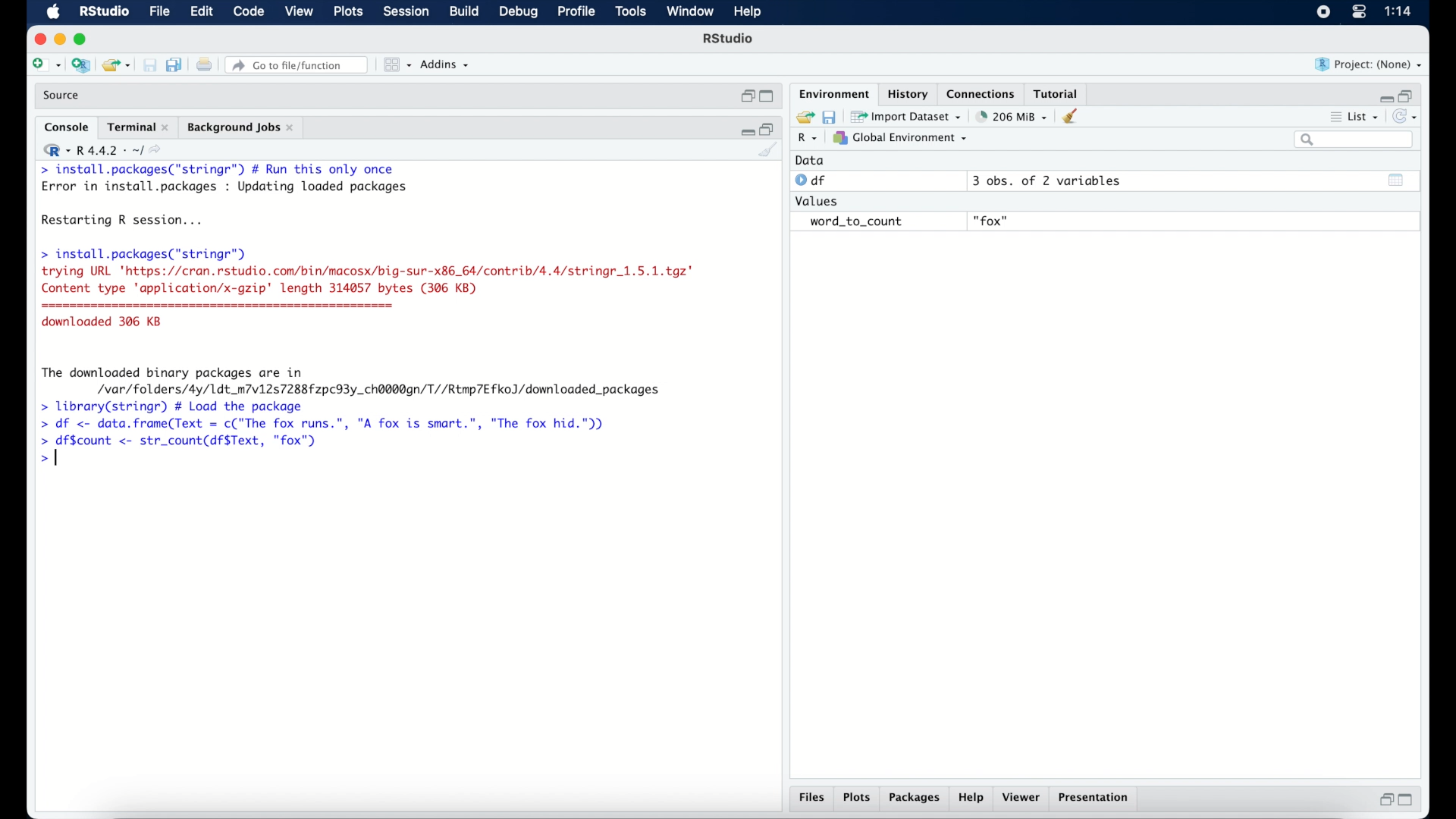 The height and width of the screenshot is (819, 1456). Describe the element at coordinates (53, 12) in the screenshot. I see `macOS` at that location.